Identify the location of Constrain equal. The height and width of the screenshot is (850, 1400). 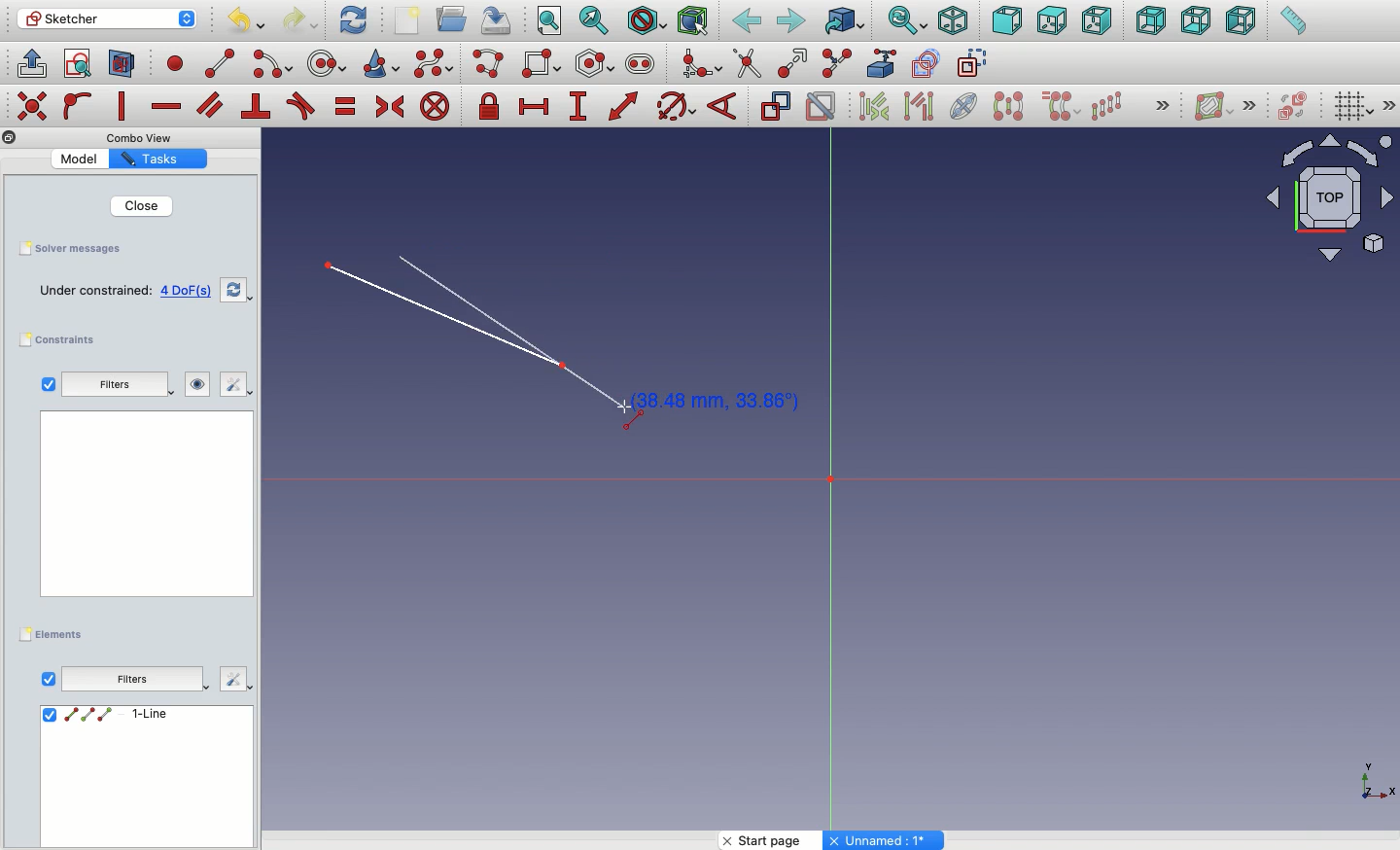
(346, 110).